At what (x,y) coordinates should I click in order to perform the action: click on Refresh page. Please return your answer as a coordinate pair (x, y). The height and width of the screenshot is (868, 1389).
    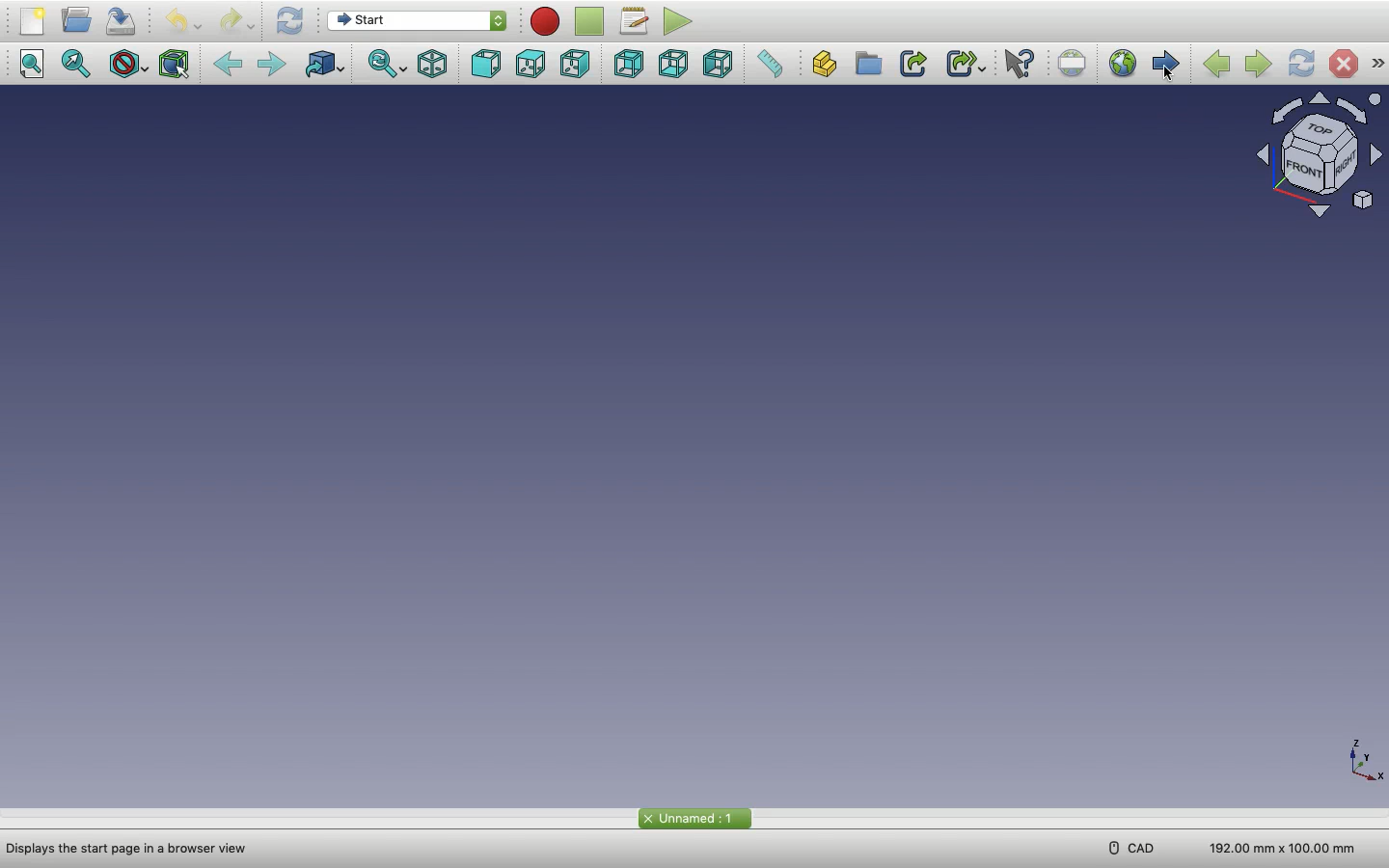
    Looking at the image, I should click on (1301, 64).